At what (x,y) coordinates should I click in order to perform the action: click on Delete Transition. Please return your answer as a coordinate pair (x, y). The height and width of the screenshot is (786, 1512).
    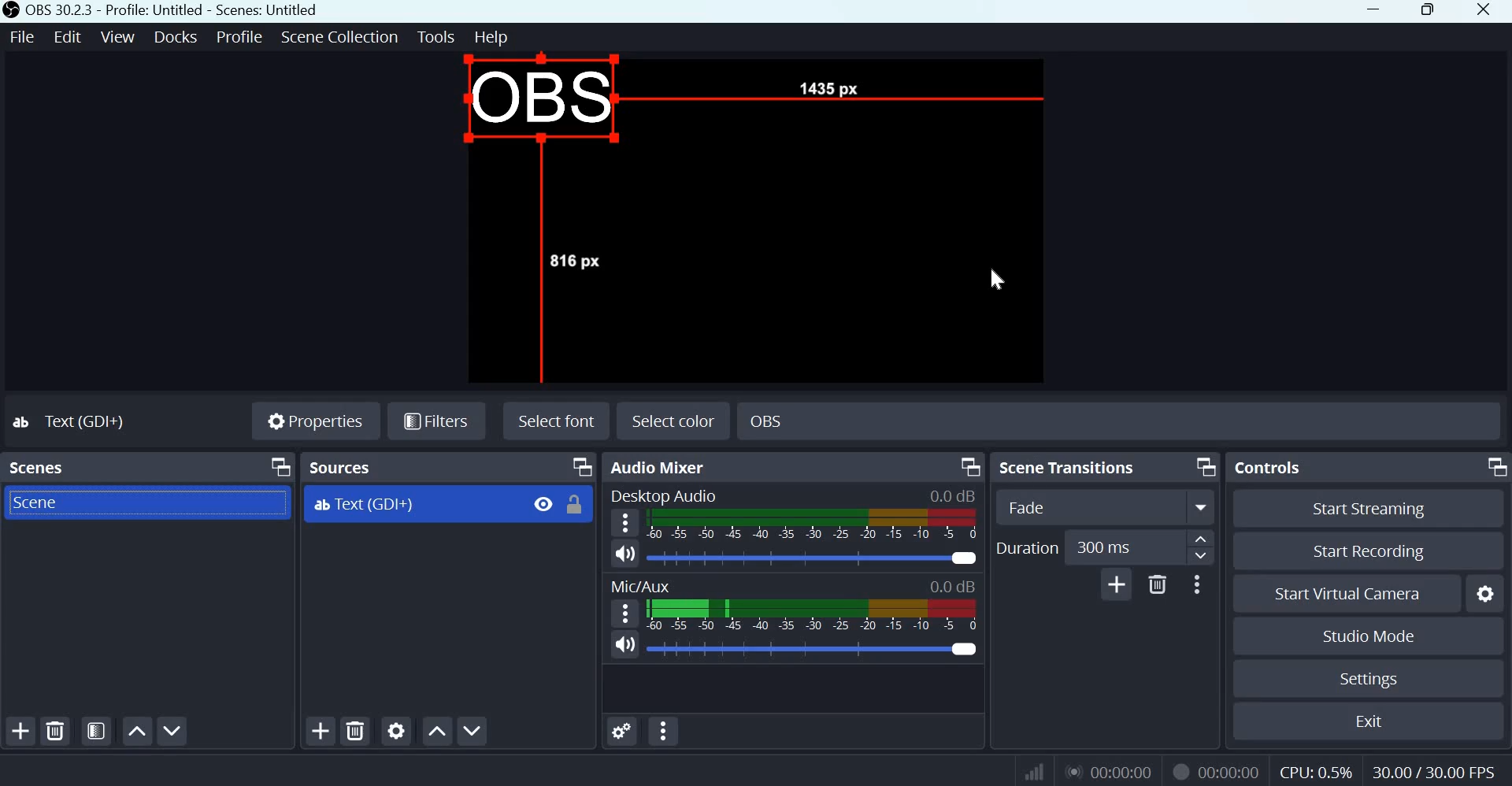
    Looking at the image, I should click on (1157, 584).